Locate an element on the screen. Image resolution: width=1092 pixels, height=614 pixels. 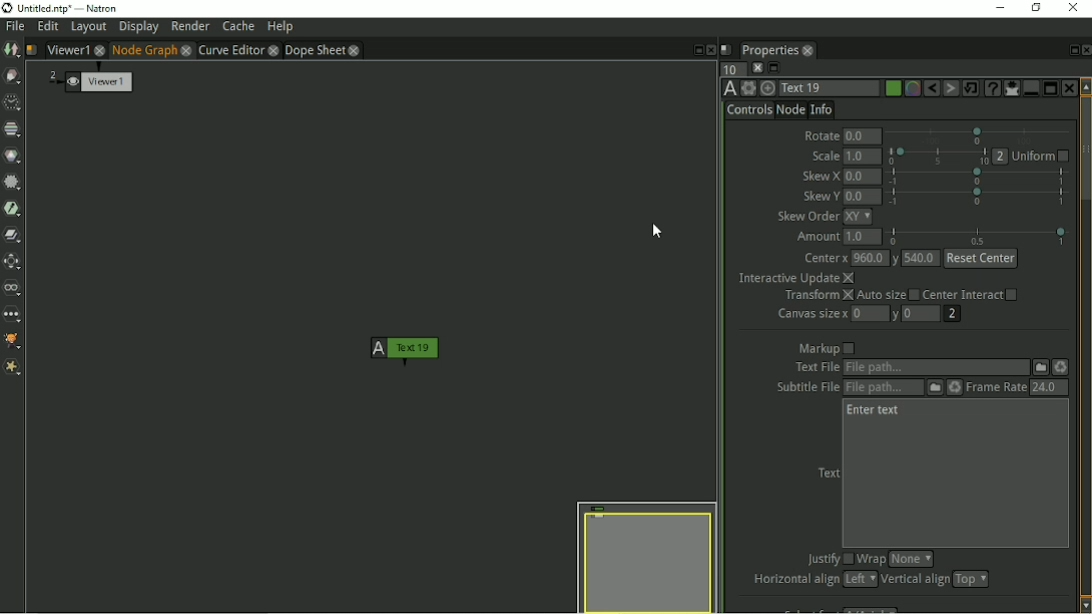
Layout is located at coordinates (88, 28).